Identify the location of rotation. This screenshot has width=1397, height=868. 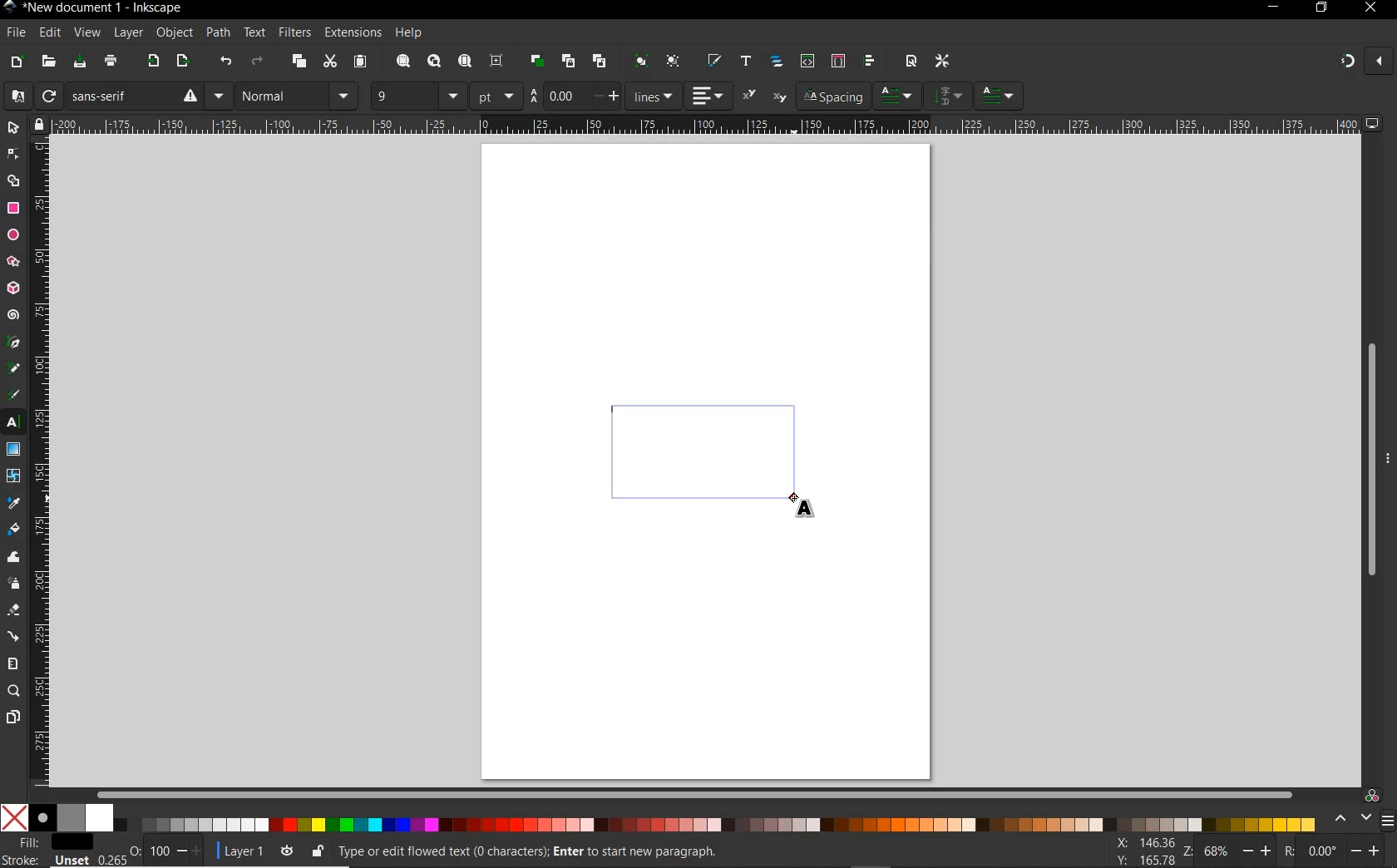
(1286, 850).